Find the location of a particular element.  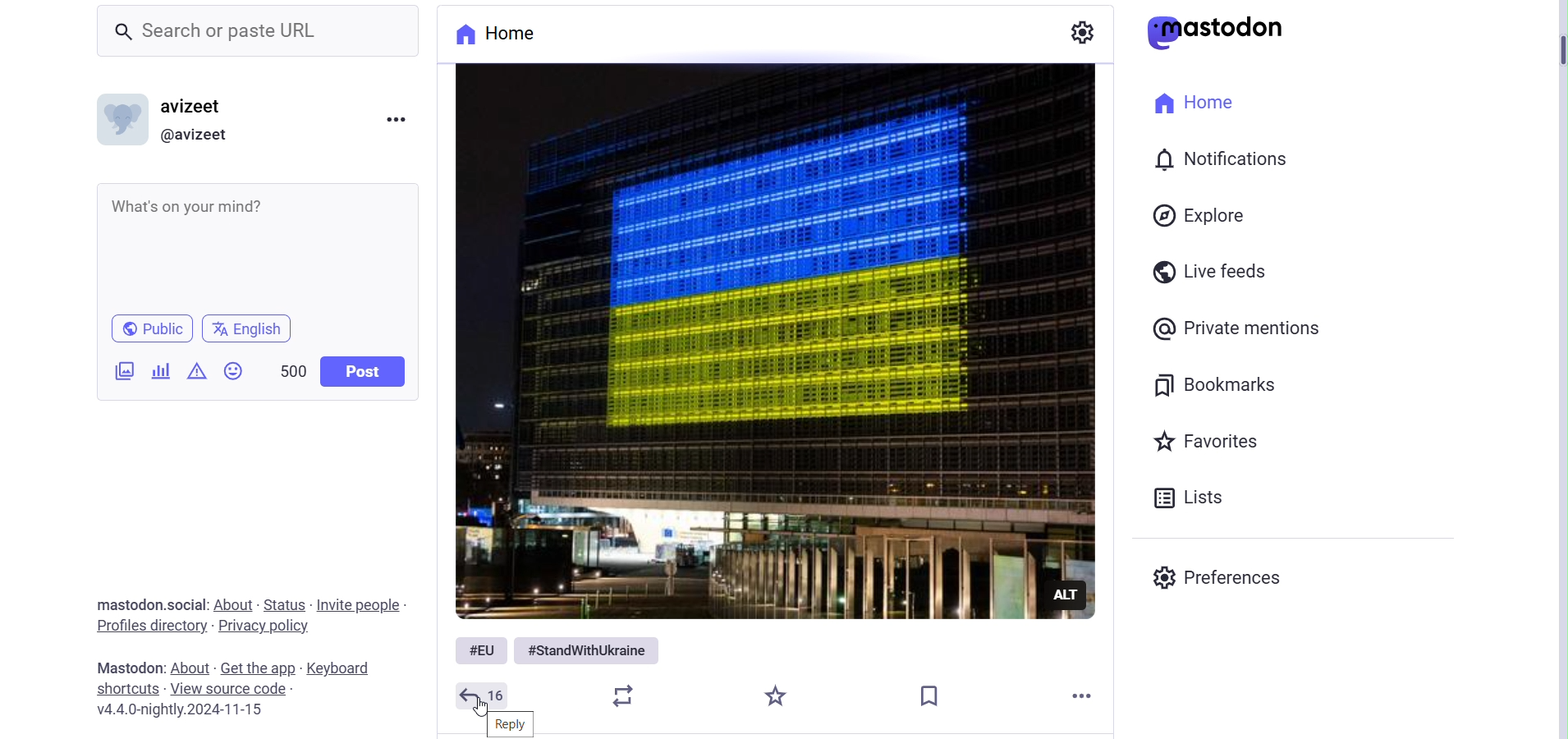

Get the app is located at coordinates (260, 669).